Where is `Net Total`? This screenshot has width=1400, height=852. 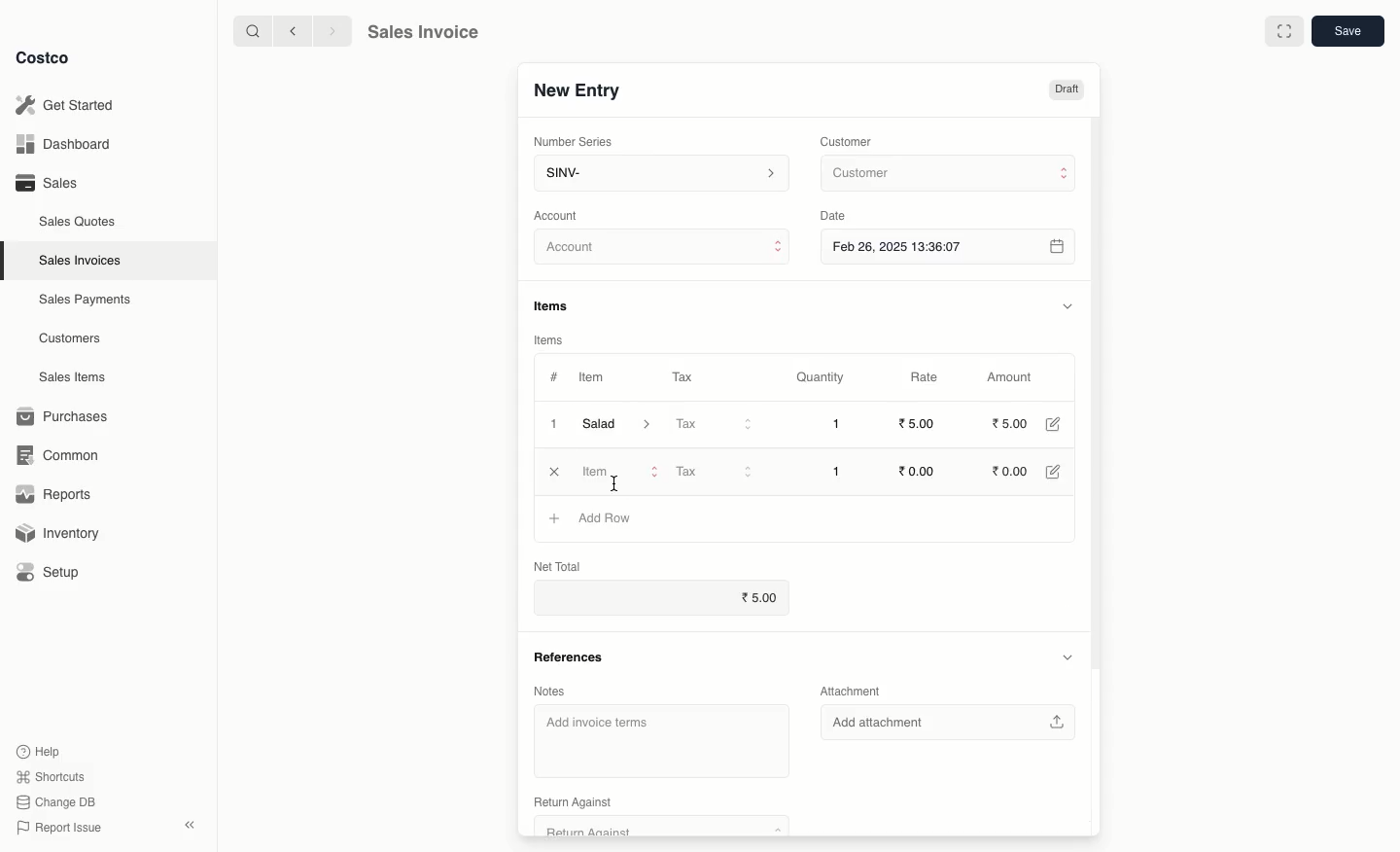 Net Total is located at coordinates (558, 567).